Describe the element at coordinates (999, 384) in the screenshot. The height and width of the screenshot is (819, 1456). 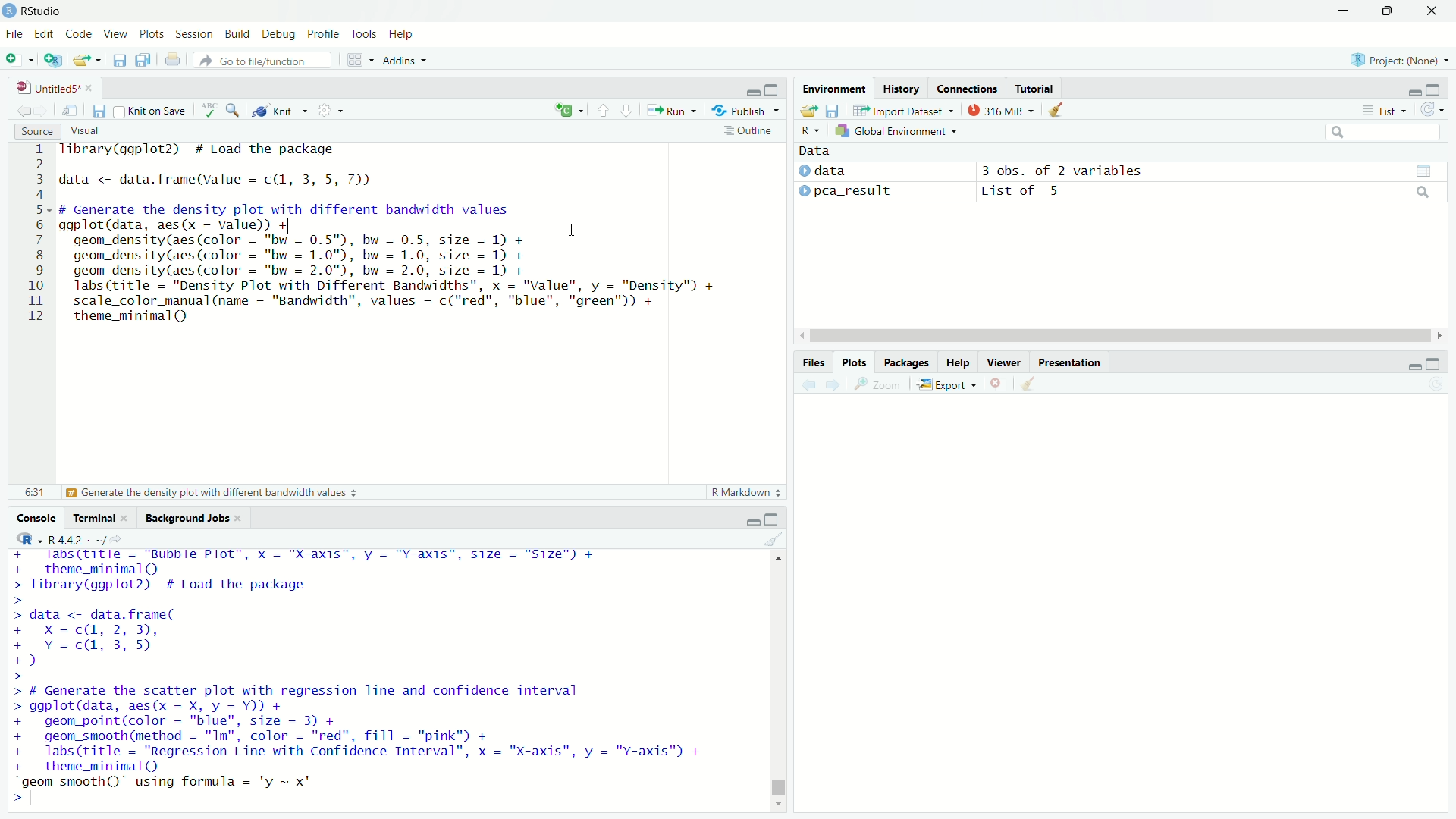
I see `Remove current plot` at that location.